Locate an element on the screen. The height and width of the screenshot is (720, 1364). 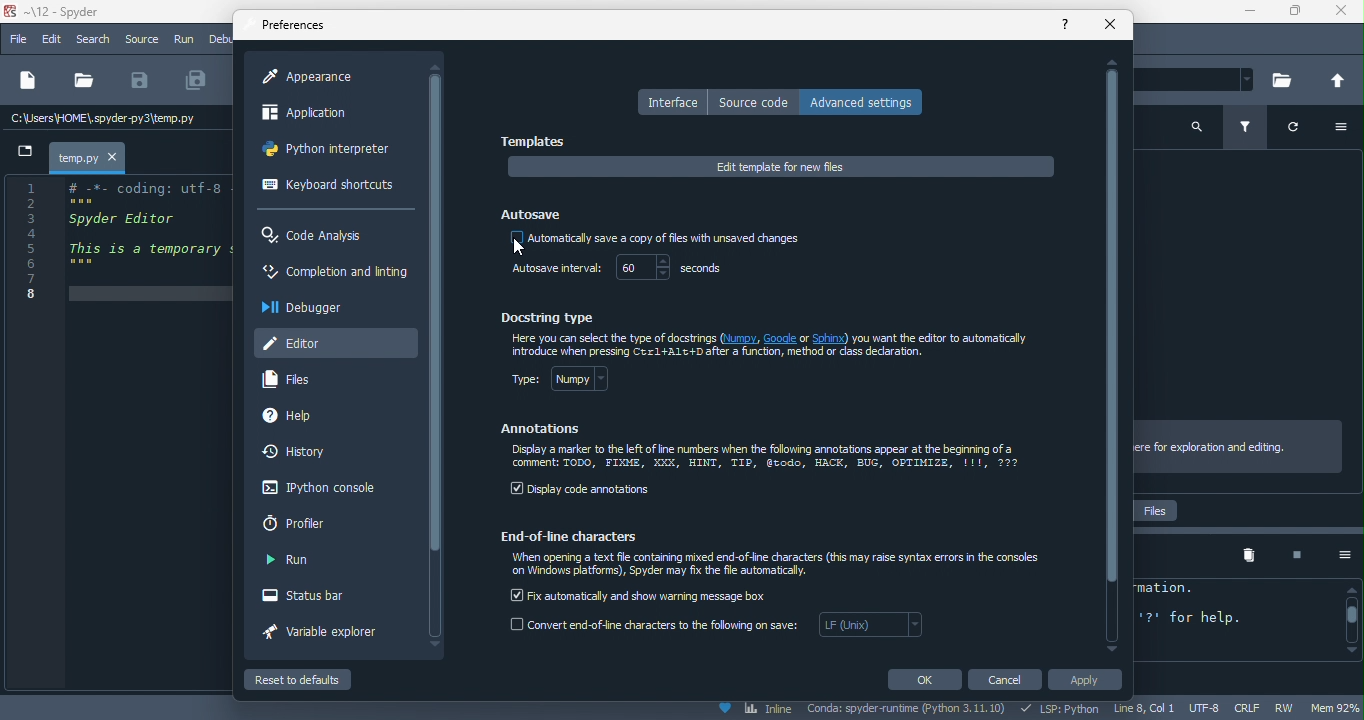
line 8, col1 utf 8 is located at coordinates (1169, 709).